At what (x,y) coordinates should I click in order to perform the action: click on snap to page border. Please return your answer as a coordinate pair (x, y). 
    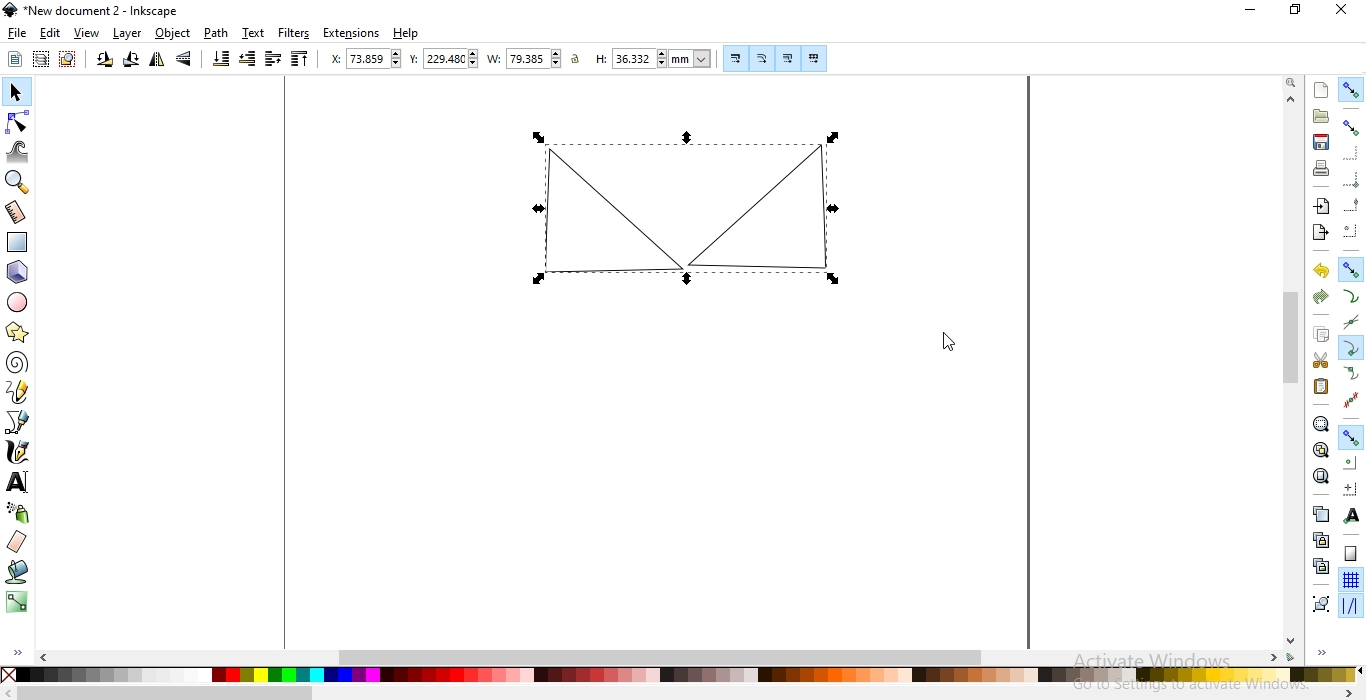
    Looking at the image, I should click on (1350, 554).